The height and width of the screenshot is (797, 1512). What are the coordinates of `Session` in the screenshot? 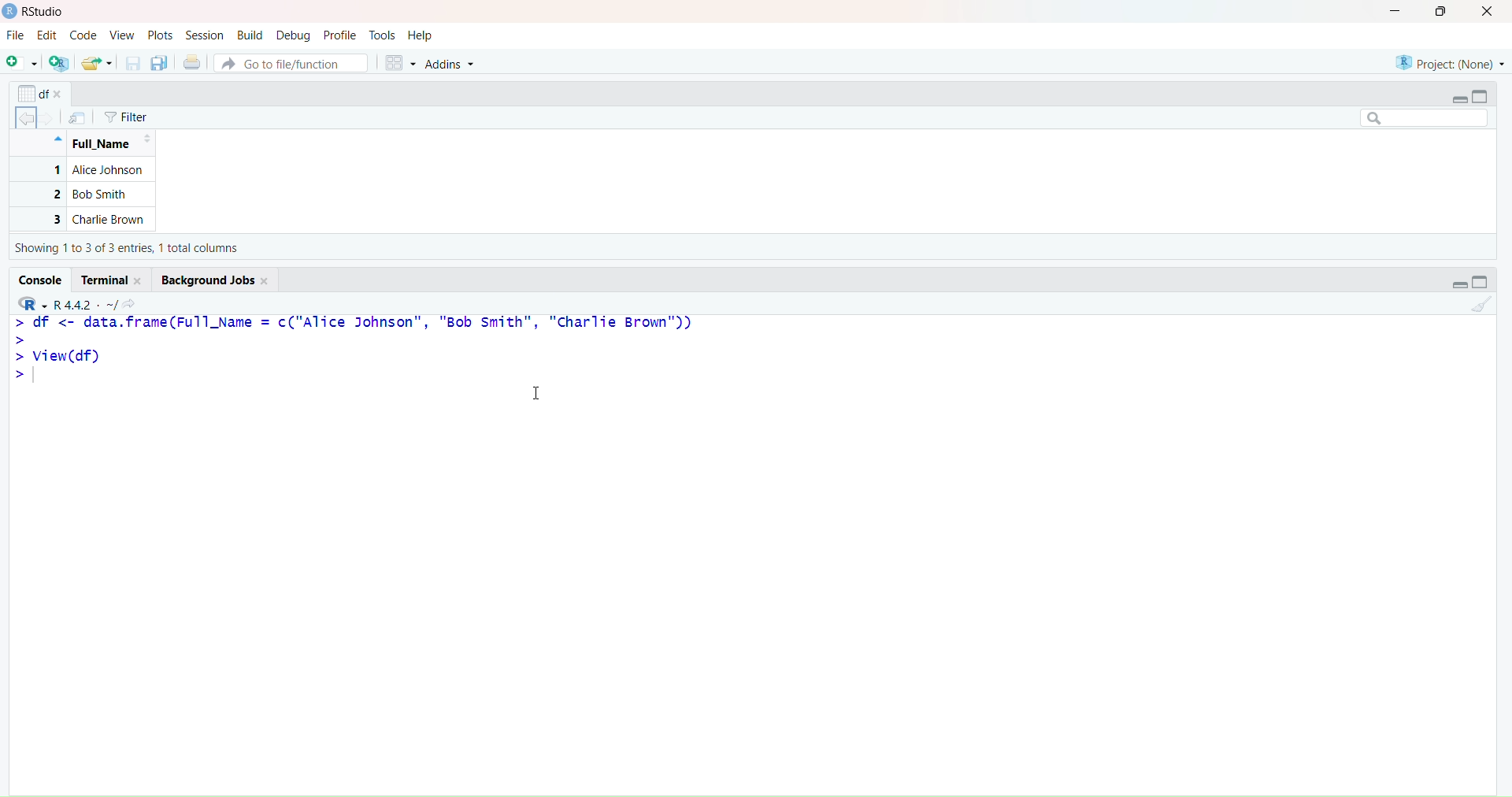 It's located at (205, 35).